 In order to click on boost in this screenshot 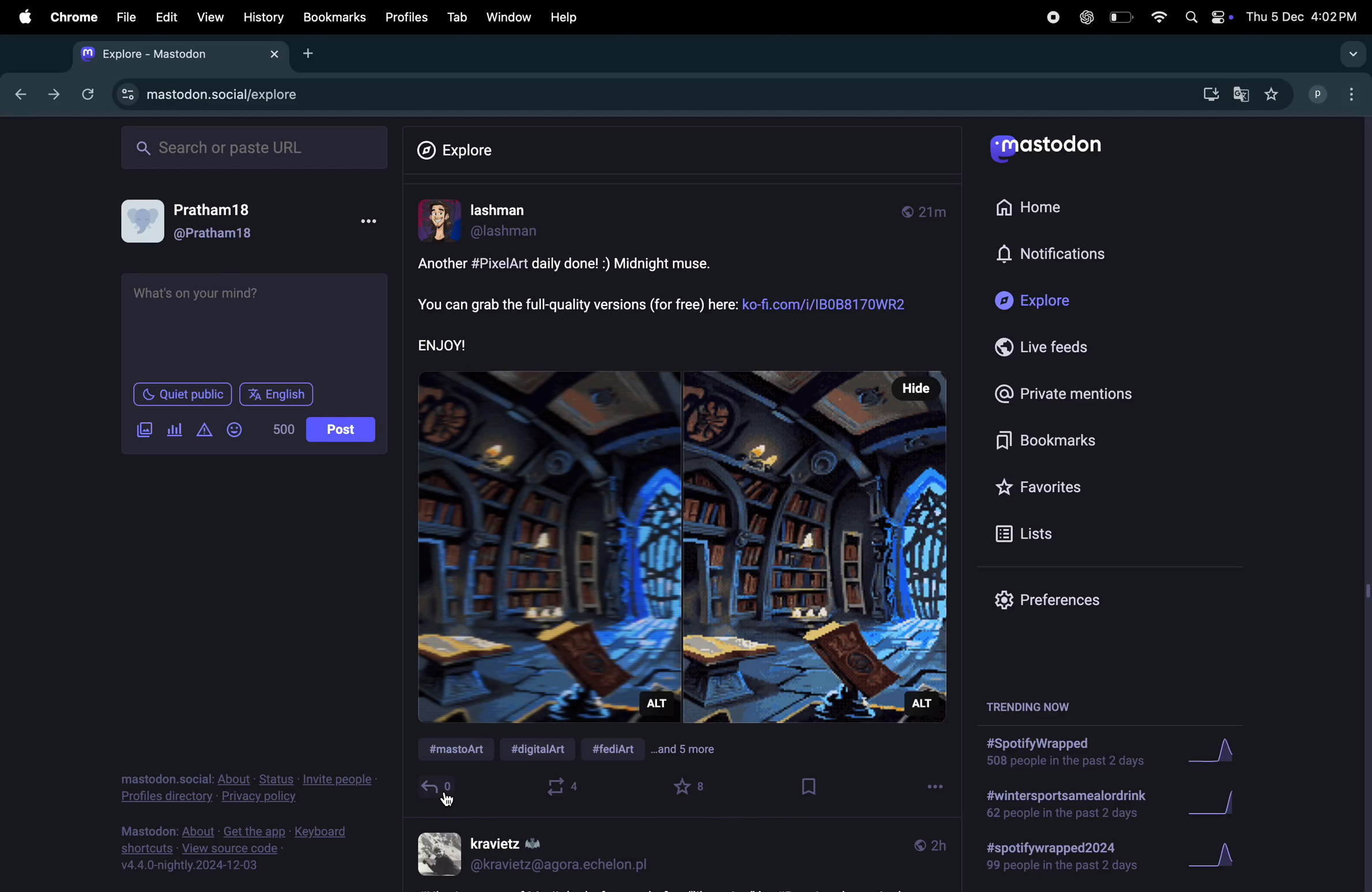, I will do `click(566, 788)`.